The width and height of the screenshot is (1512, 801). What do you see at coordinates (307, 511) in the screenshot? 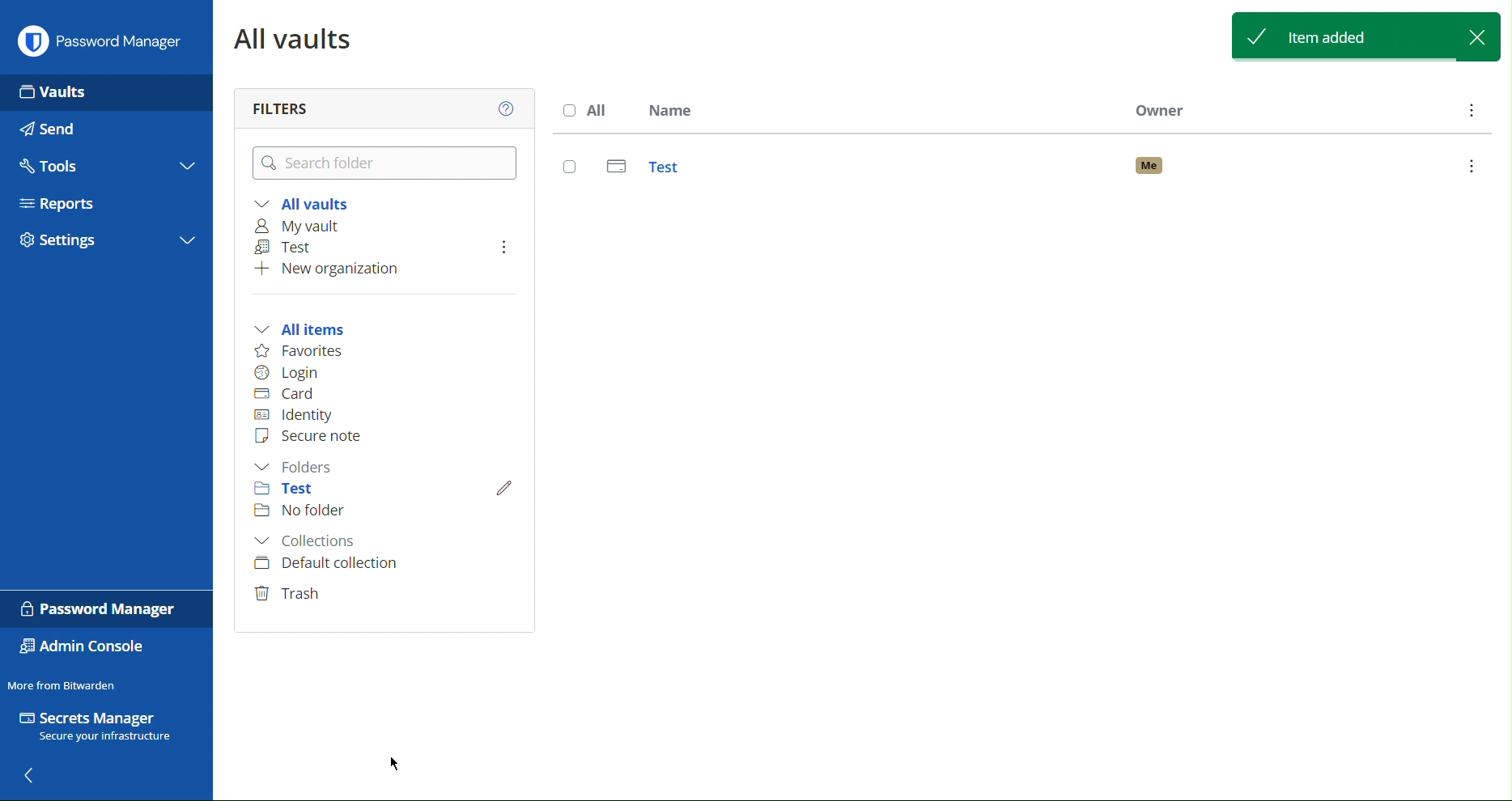
I see `No folder` at bounding box center [307, 511].